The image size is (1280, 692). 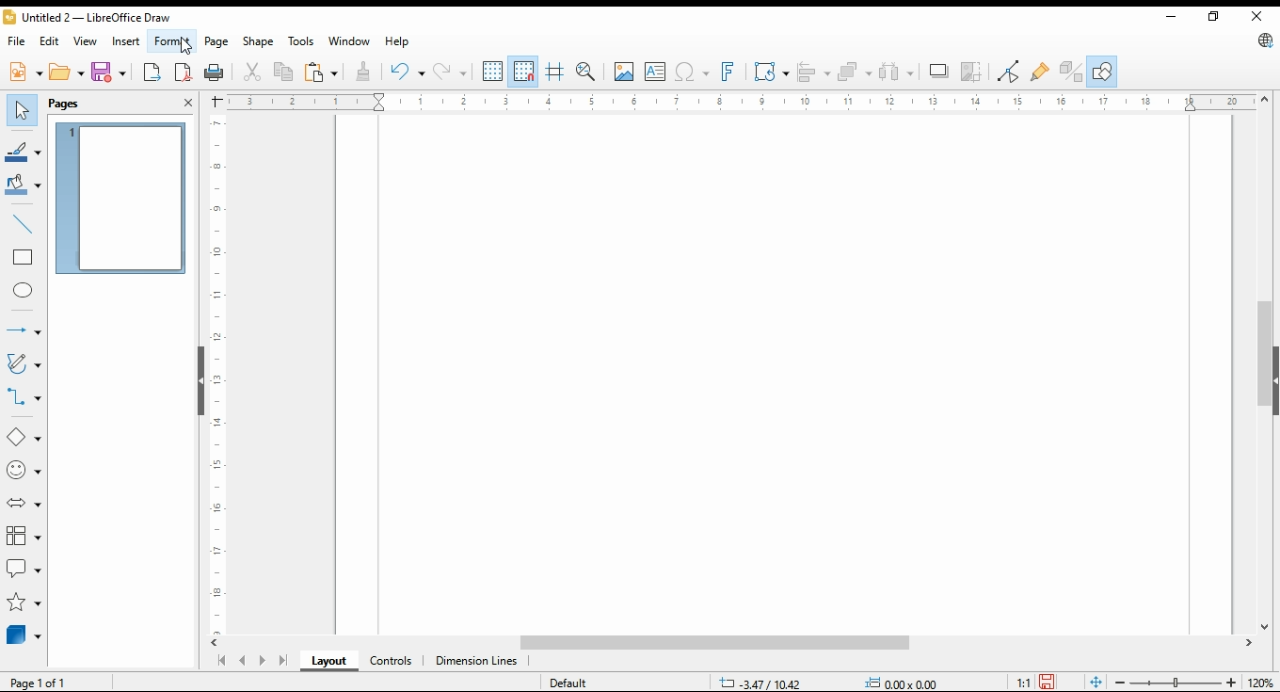 I want to click on transformations, so click(x=770, y=71).